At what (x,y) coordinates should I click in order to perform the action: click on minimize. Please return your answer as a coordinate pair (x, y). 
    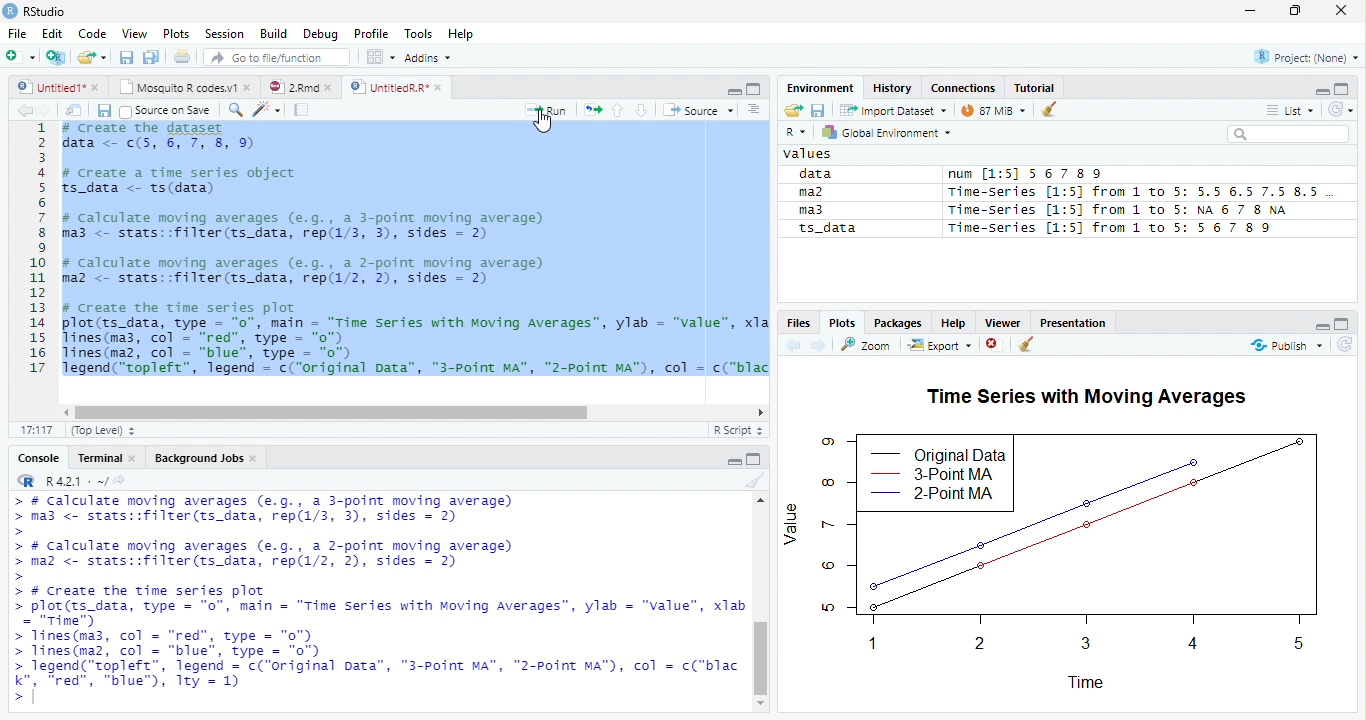
    Looking at the image, I should click on (734, 92).